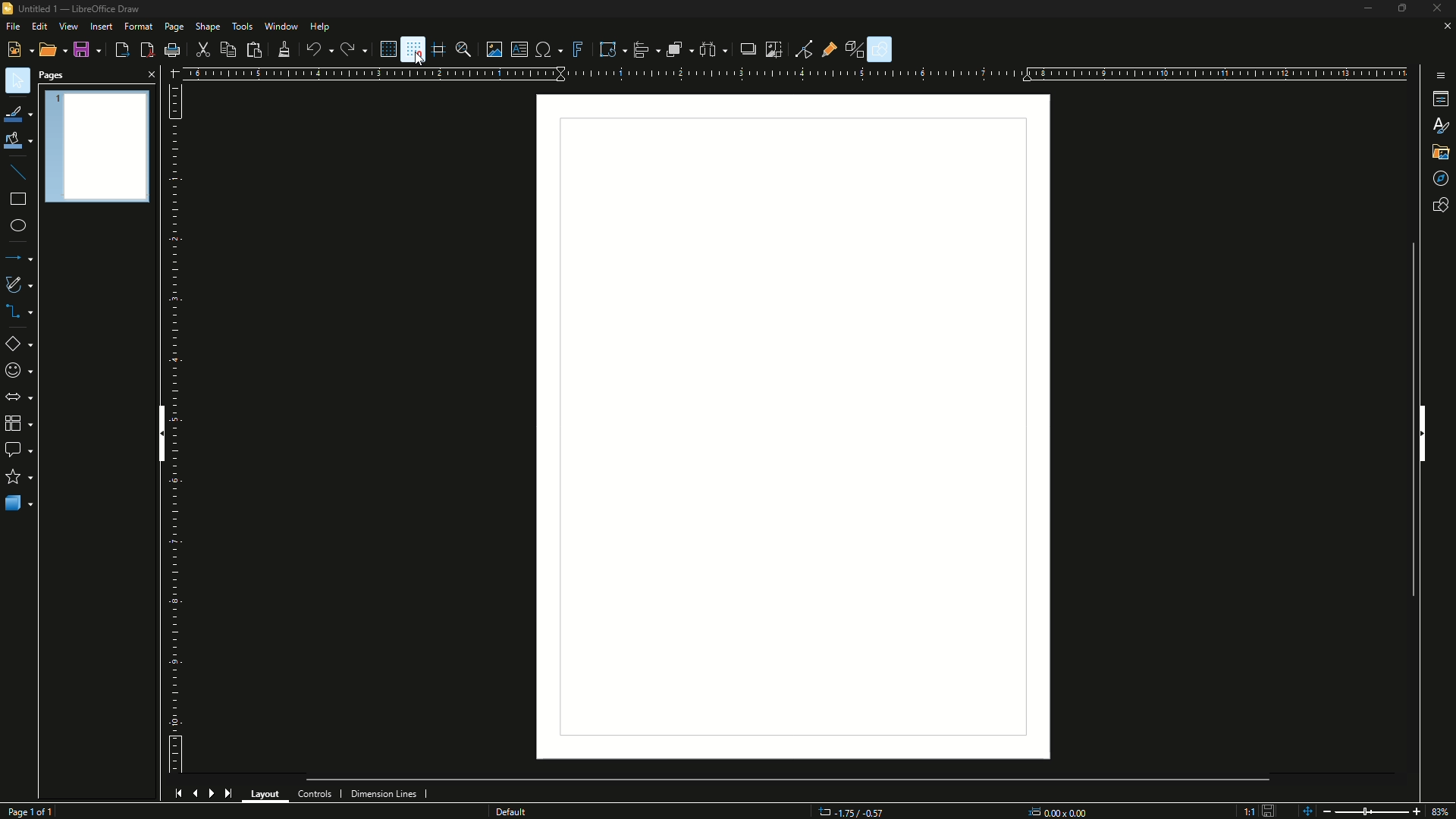 This screenshot has width=1456, height=819. I want to click on Fill Color, so click(19, 142).